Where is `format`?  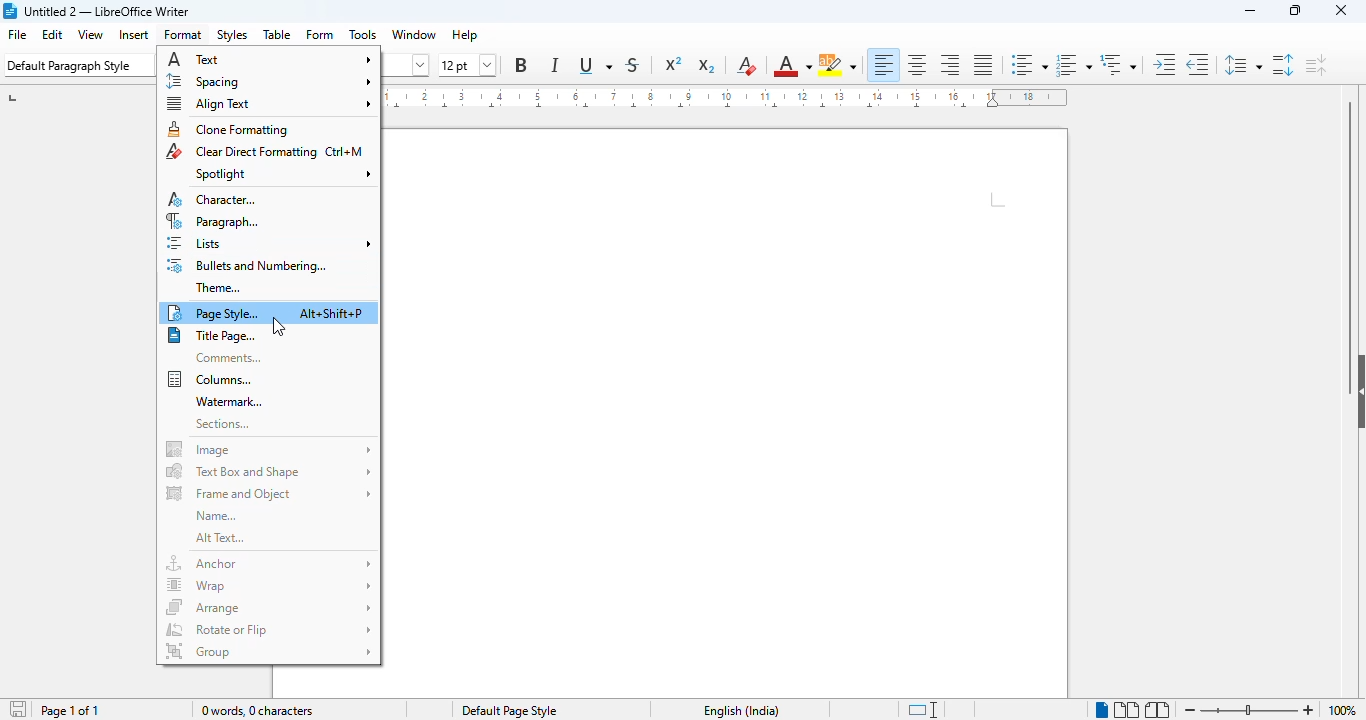 format is located at coordinates (184, 34).